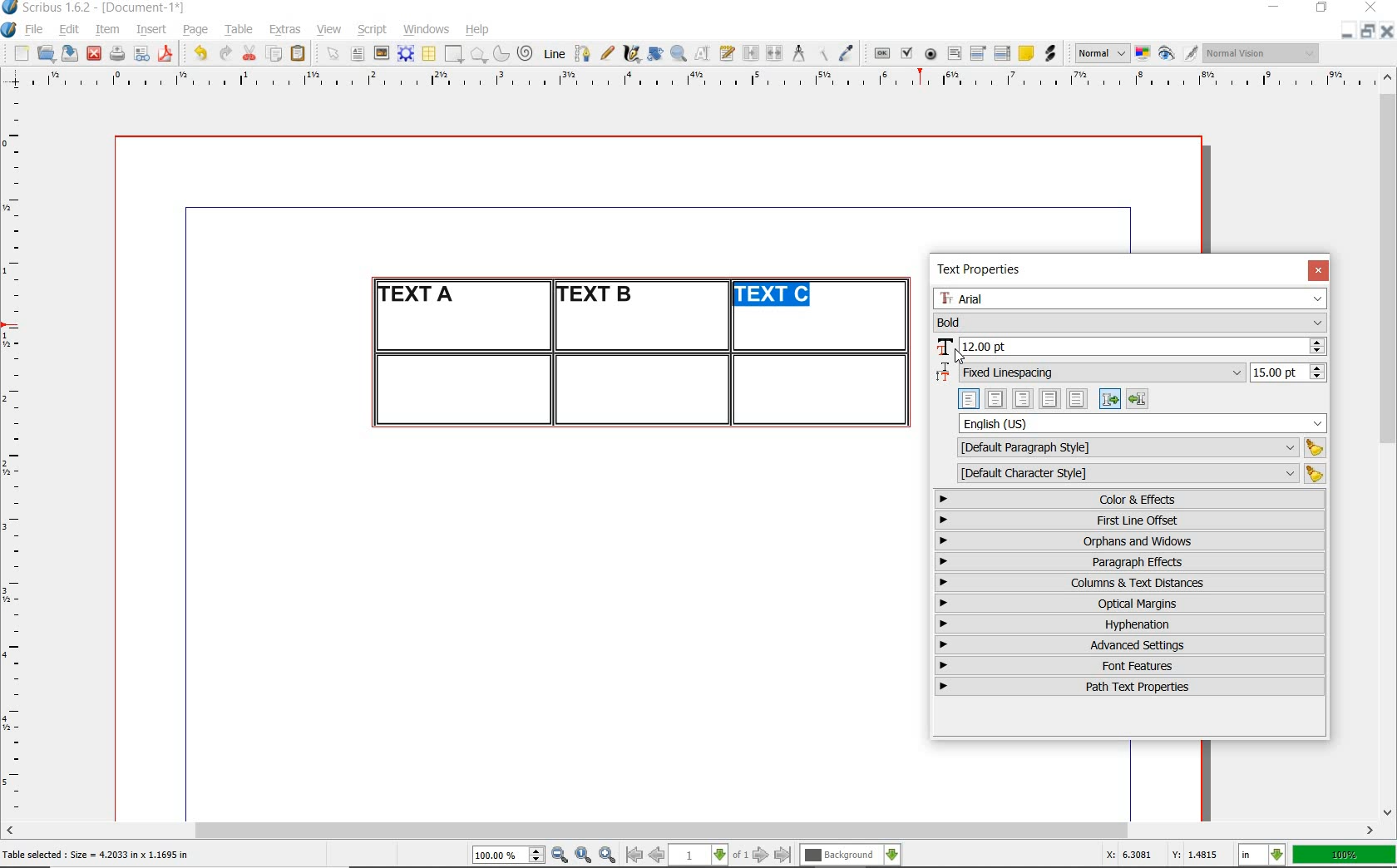 The image size is (1397, 868). Describe the element at coordinates (798, 54) in the screenshot. I see `measurements` at that location.